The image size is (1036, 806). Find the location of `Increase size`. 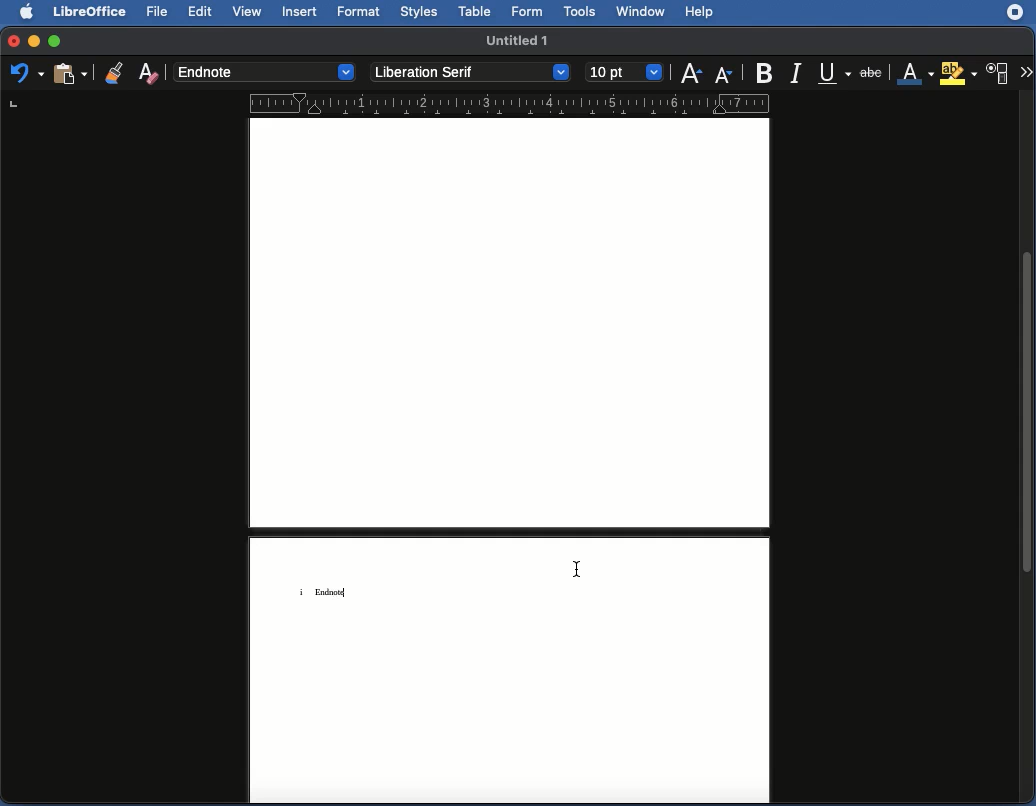

Increase size is located at coordinates (694, 70).